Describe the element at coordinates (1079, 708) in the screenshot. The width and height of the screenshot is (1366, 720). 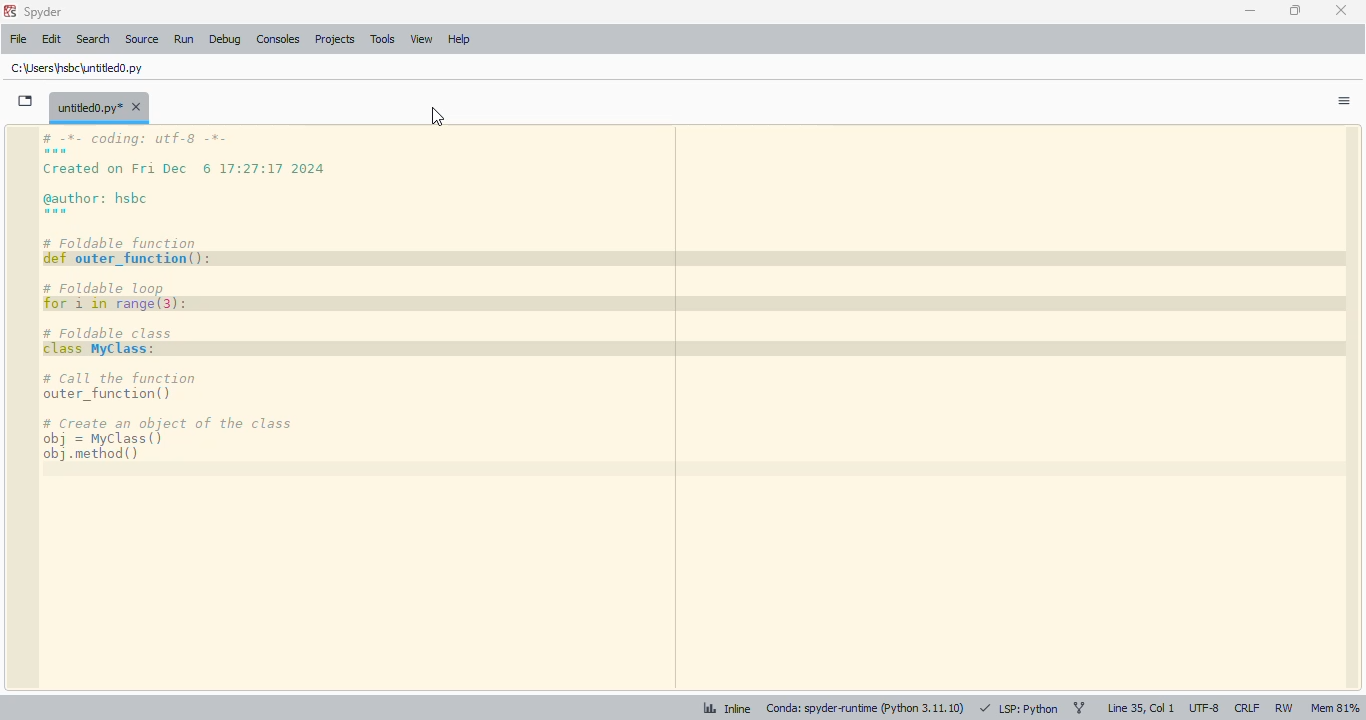
I see `git branch` at that location.